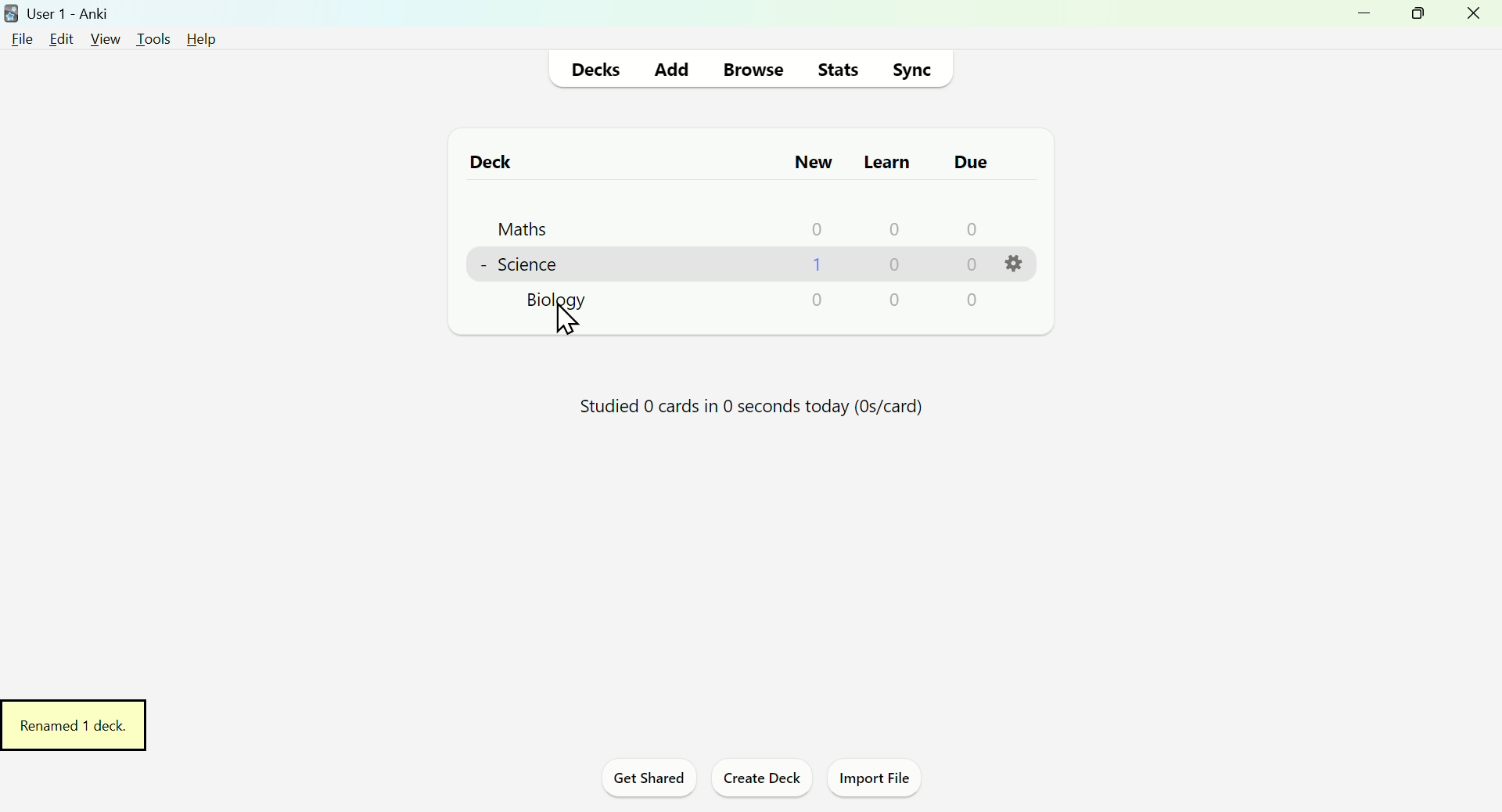 Image resolution: width=1502 pixels, height=812 pixels. Describe the element at coordinates (897, 266) in the screenshot. I see `0` at that location.